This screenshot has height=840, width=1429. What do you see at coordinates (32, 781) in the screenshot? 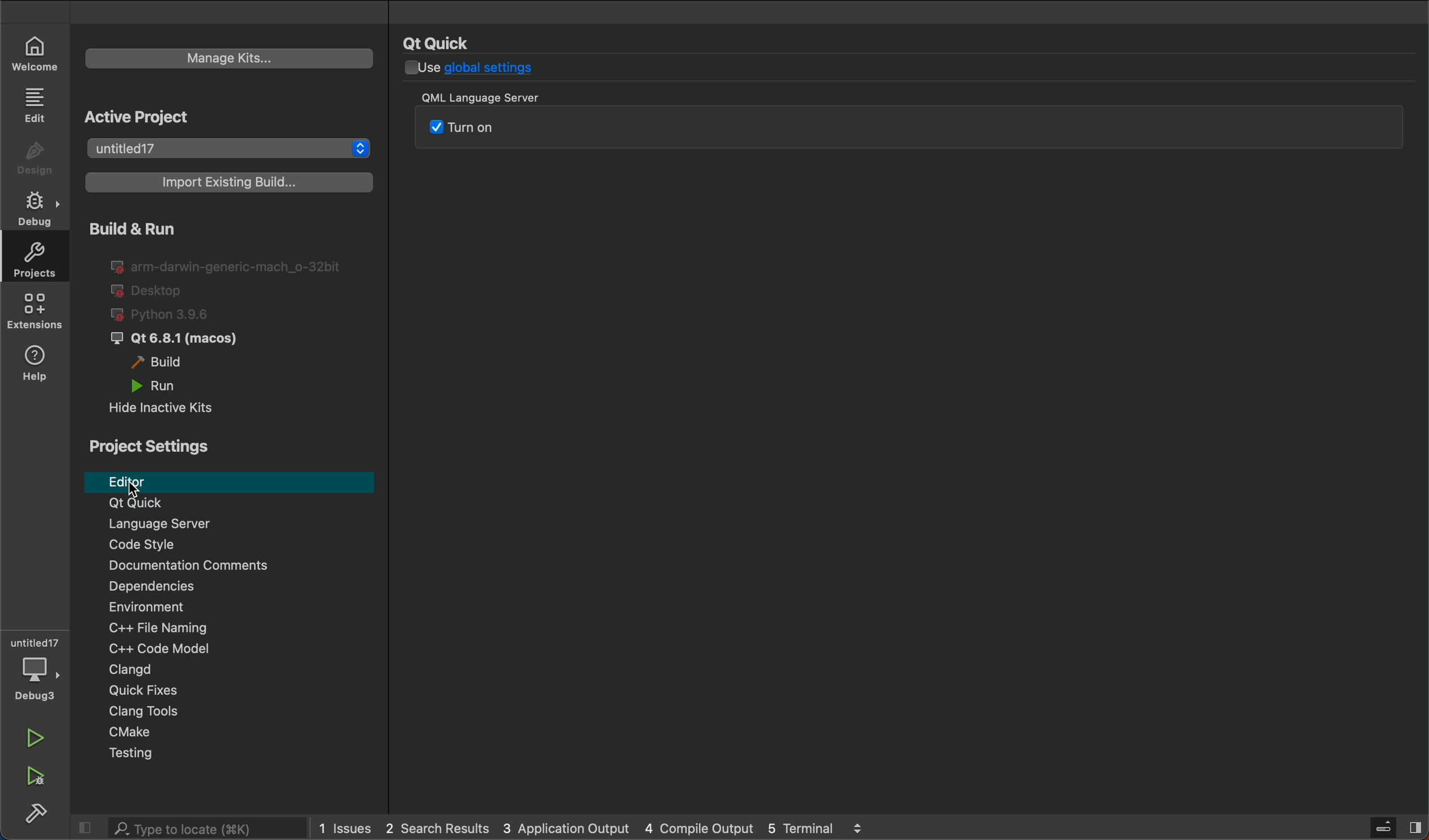
I see `run and debug` at bounding box center [32, 781].